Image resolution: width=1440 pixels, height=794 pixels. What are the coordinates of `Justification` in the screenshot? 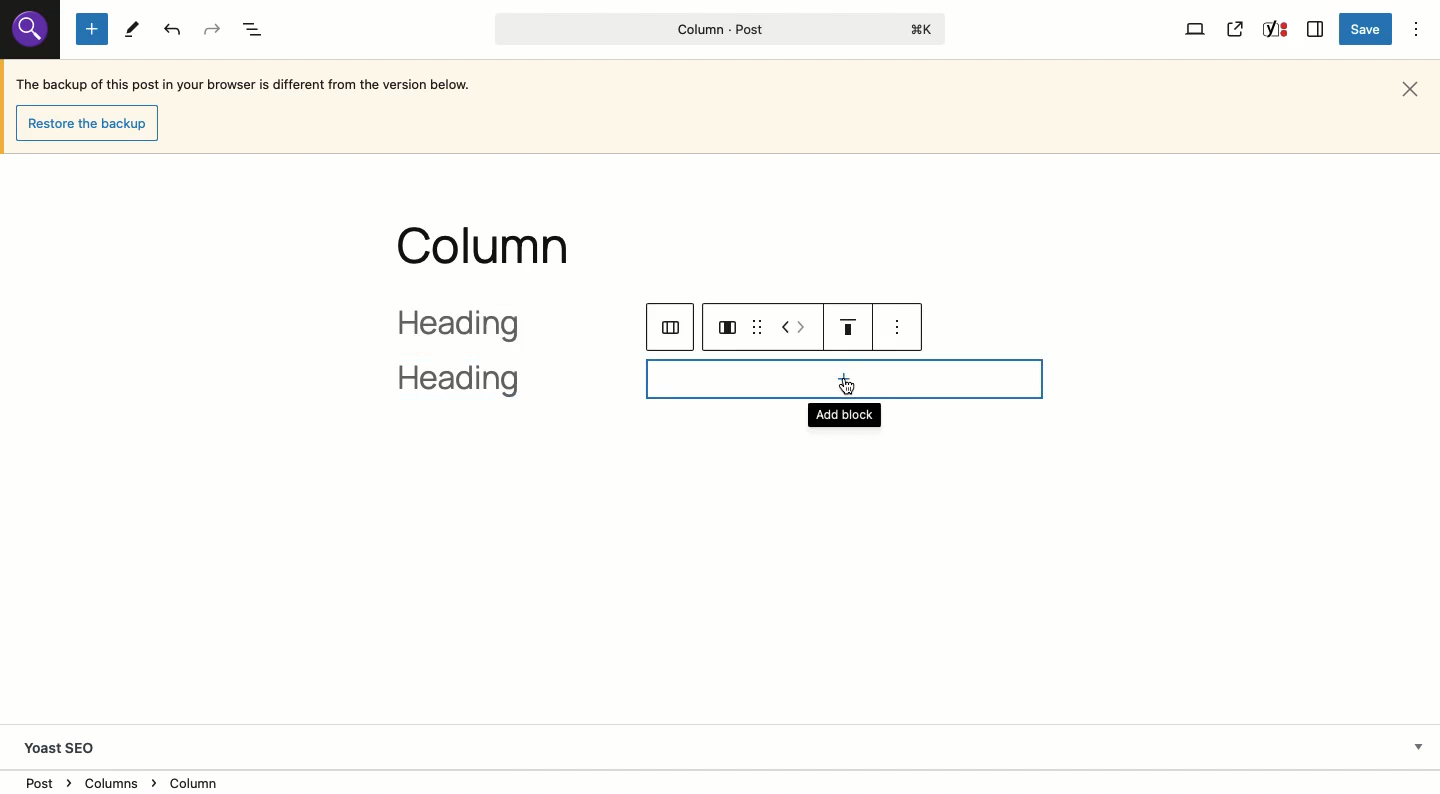 It's located at (852, 326).